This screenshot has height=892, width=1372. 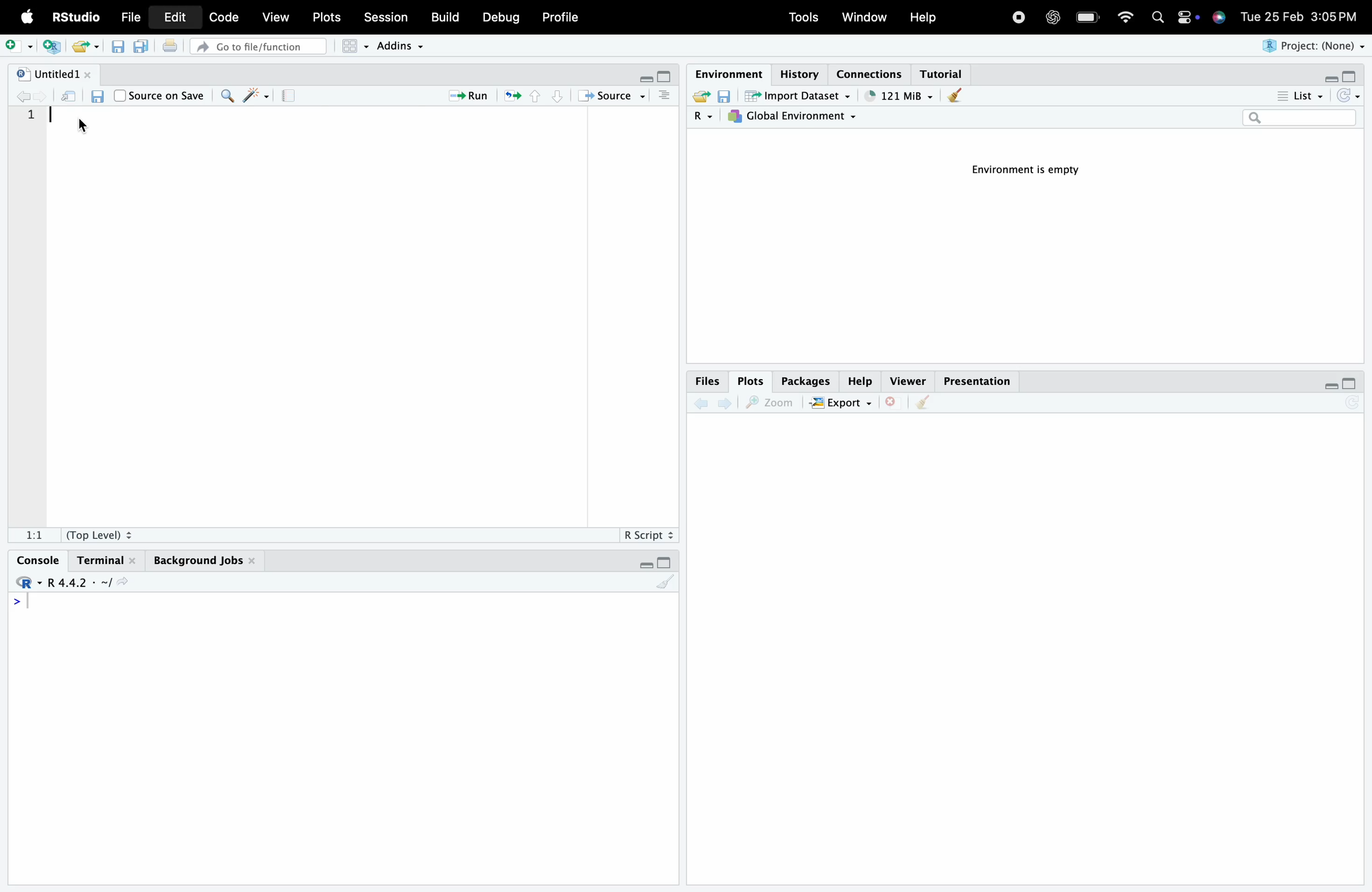 I want to click on File, so click(x=133, y=18).